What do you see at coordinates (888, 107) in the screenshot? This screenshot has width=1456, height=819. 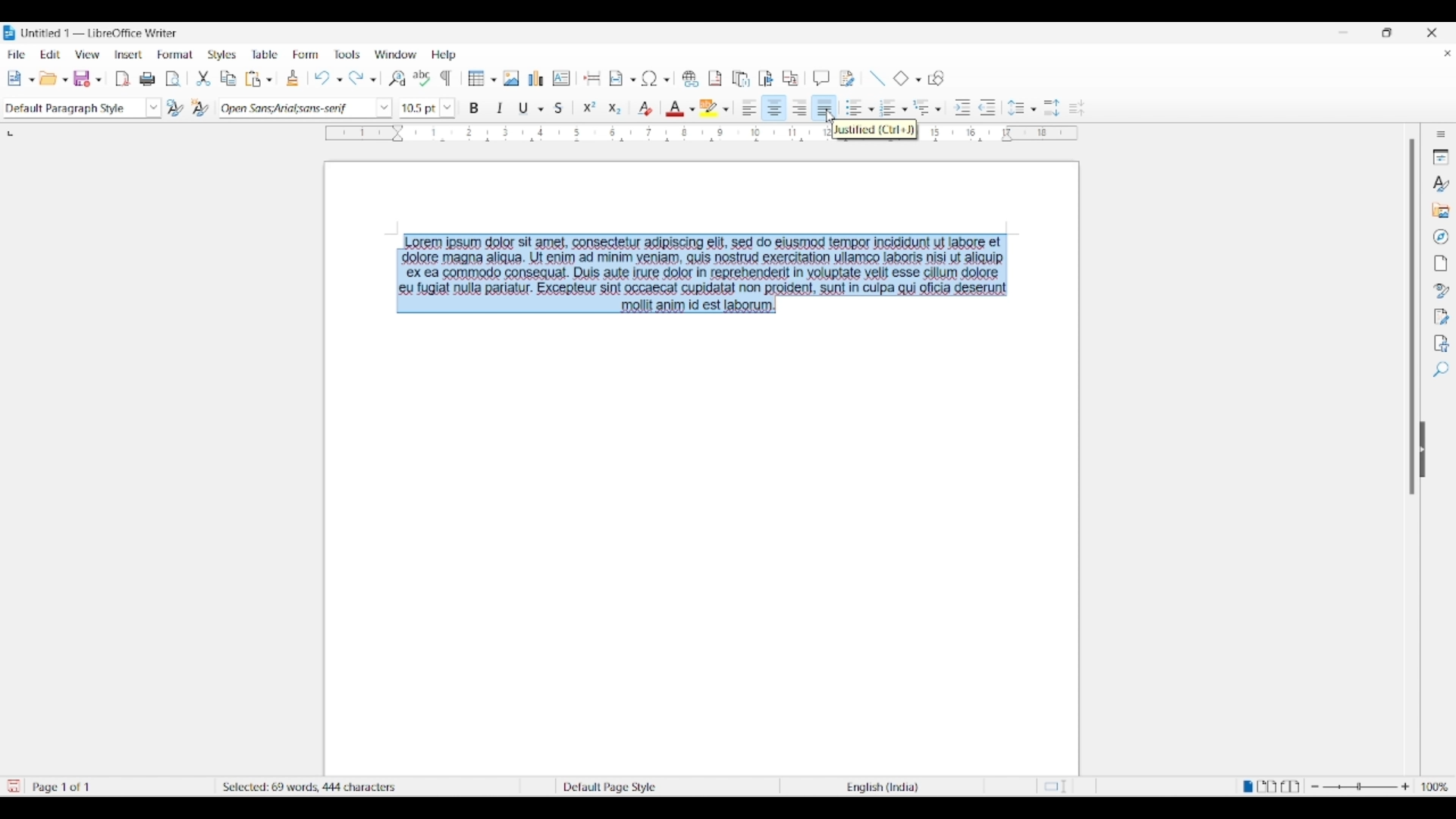 I see `Selected toggle ordered list` at bounding box center [888, 107].